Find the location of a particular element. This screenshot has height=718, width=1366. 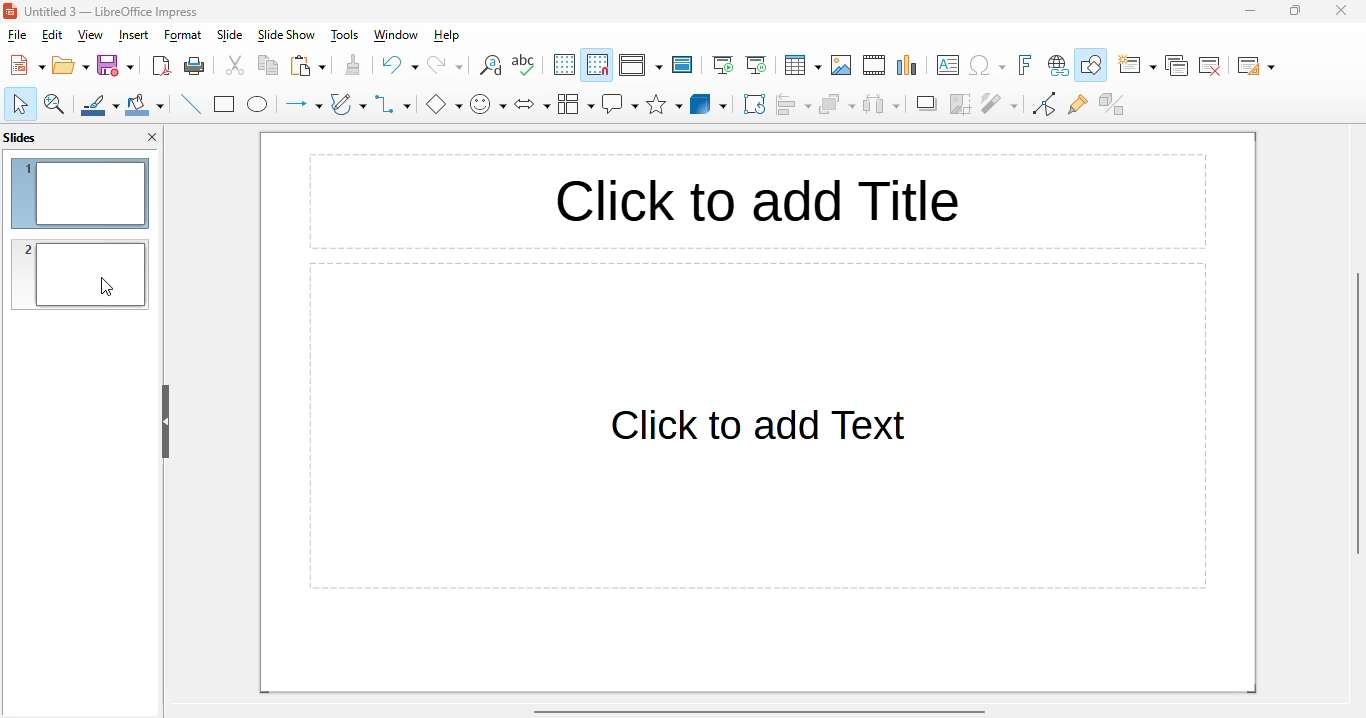

toggle point edit mode is located at coordinates (1046, 104).